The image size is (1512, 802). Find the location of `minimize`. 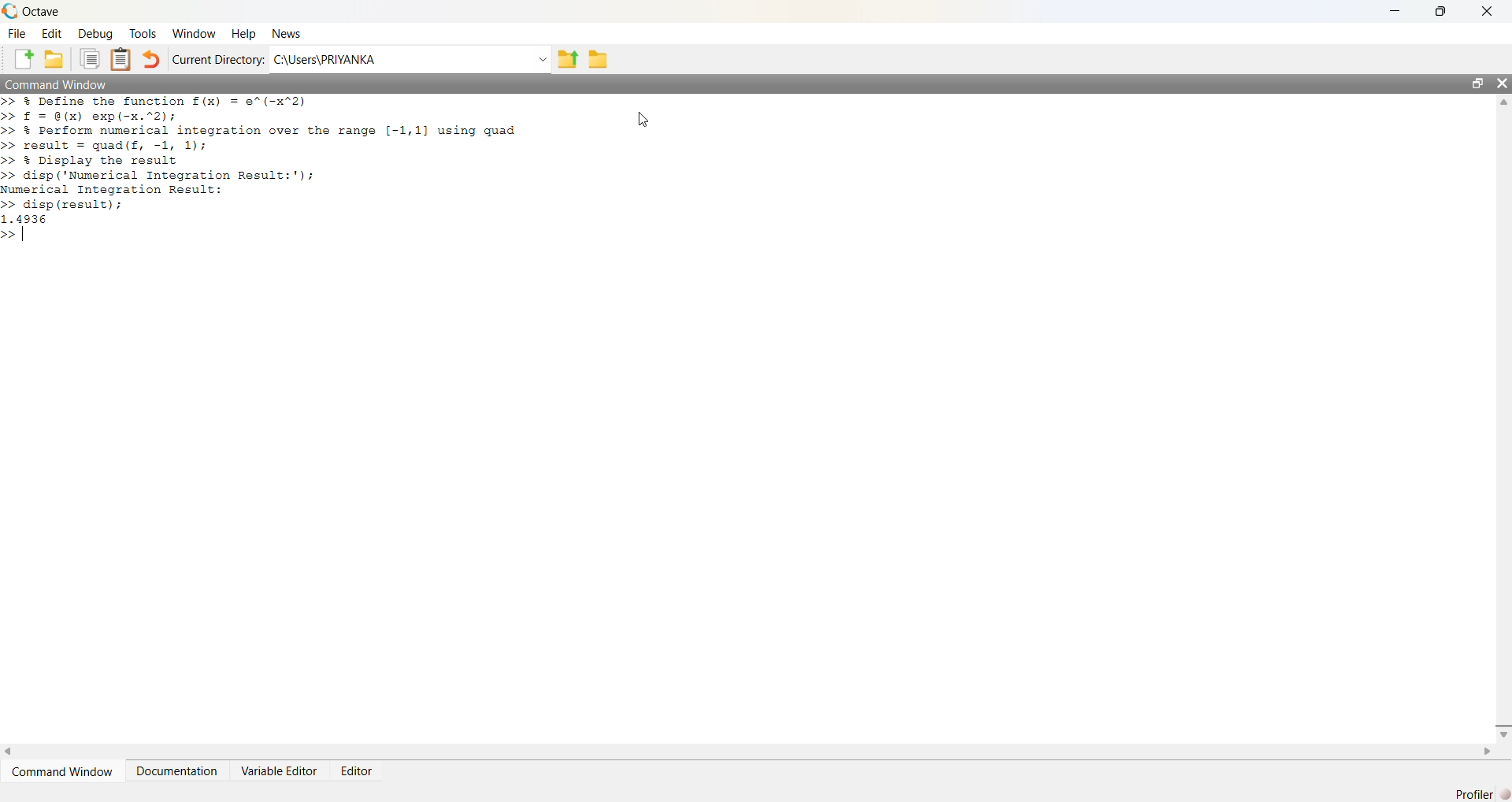

minimize is located at coordinates (1395, 11).